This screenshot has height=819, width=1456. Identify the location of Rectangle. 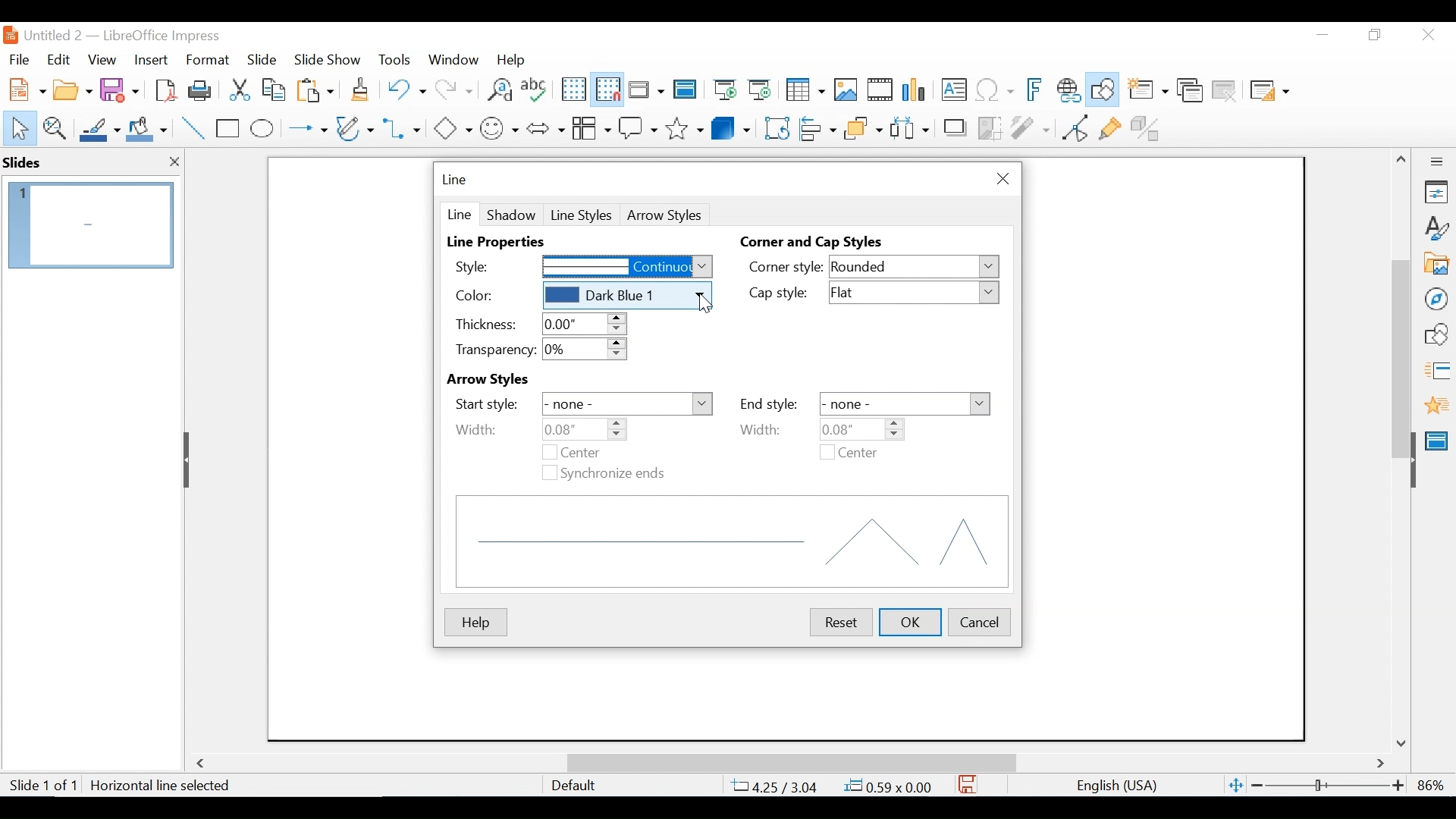
(229, 129).